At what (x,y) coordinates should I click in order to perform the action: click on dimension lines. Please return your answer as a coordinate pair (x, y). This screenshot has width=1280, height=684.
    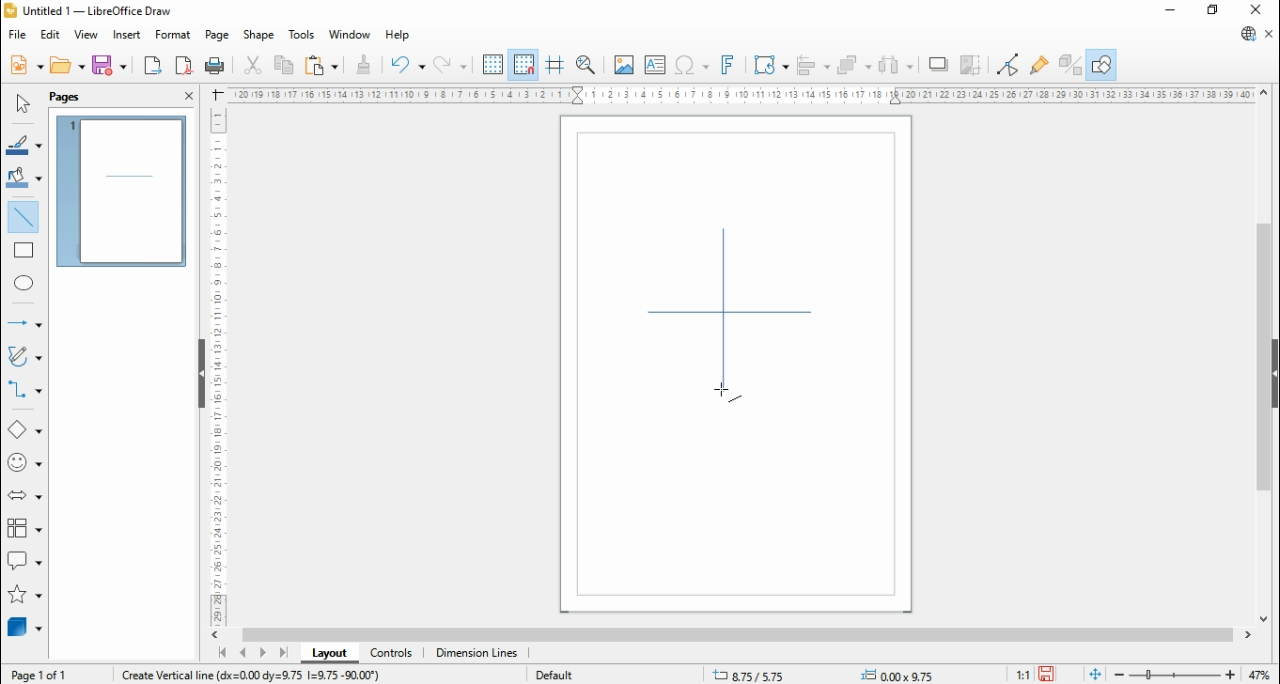
    Looking at the image, I should click on (477, 654).